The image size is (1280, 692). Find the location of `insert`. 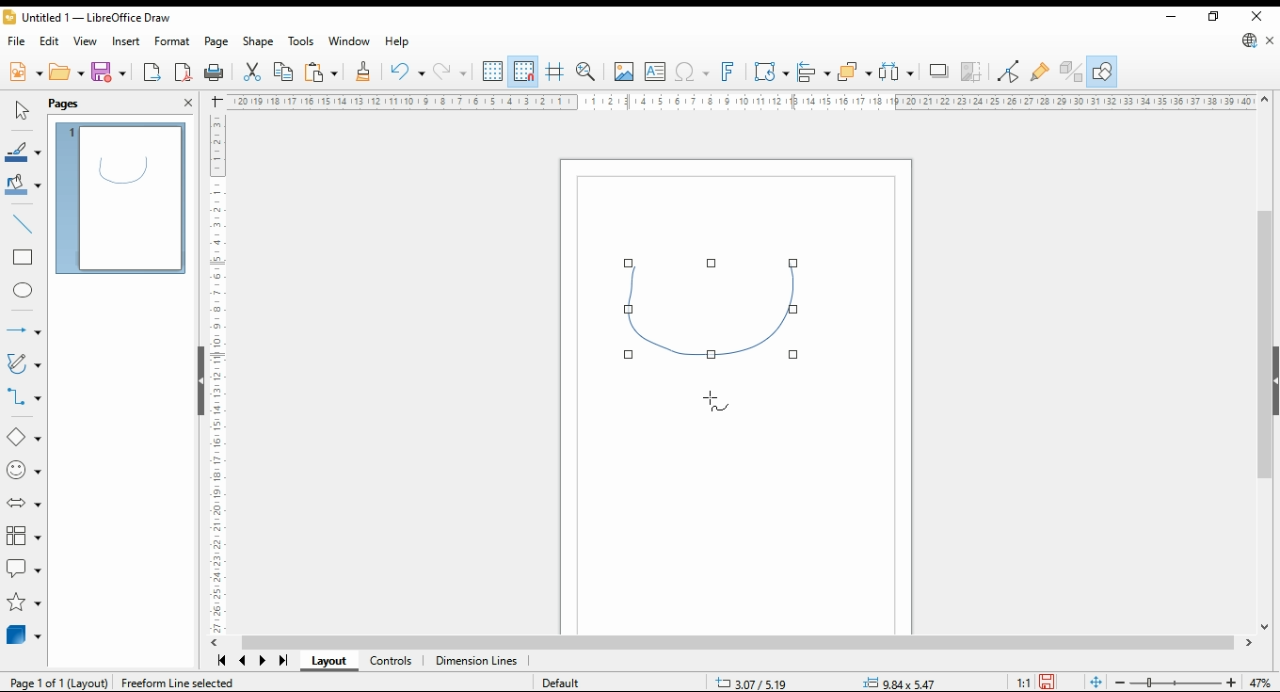

insert is located at coordinates (125, 41).